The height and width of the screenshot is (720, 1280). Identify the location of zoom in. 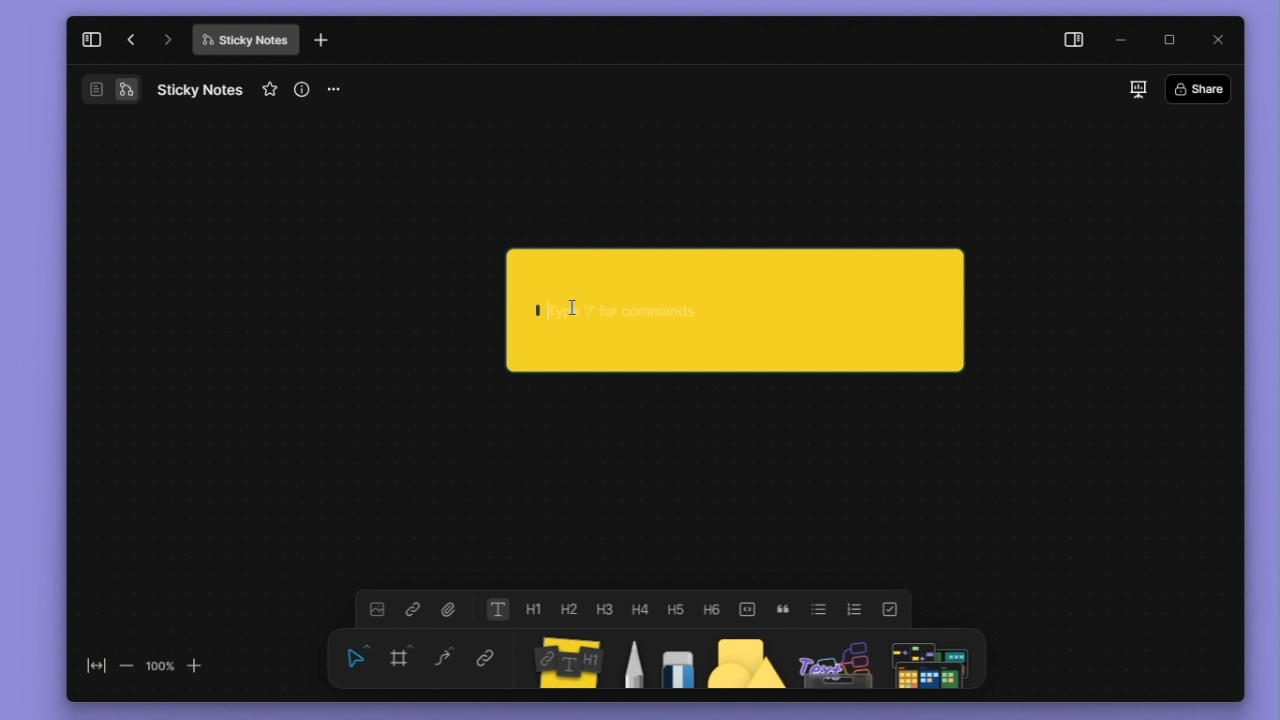
(201, 665).